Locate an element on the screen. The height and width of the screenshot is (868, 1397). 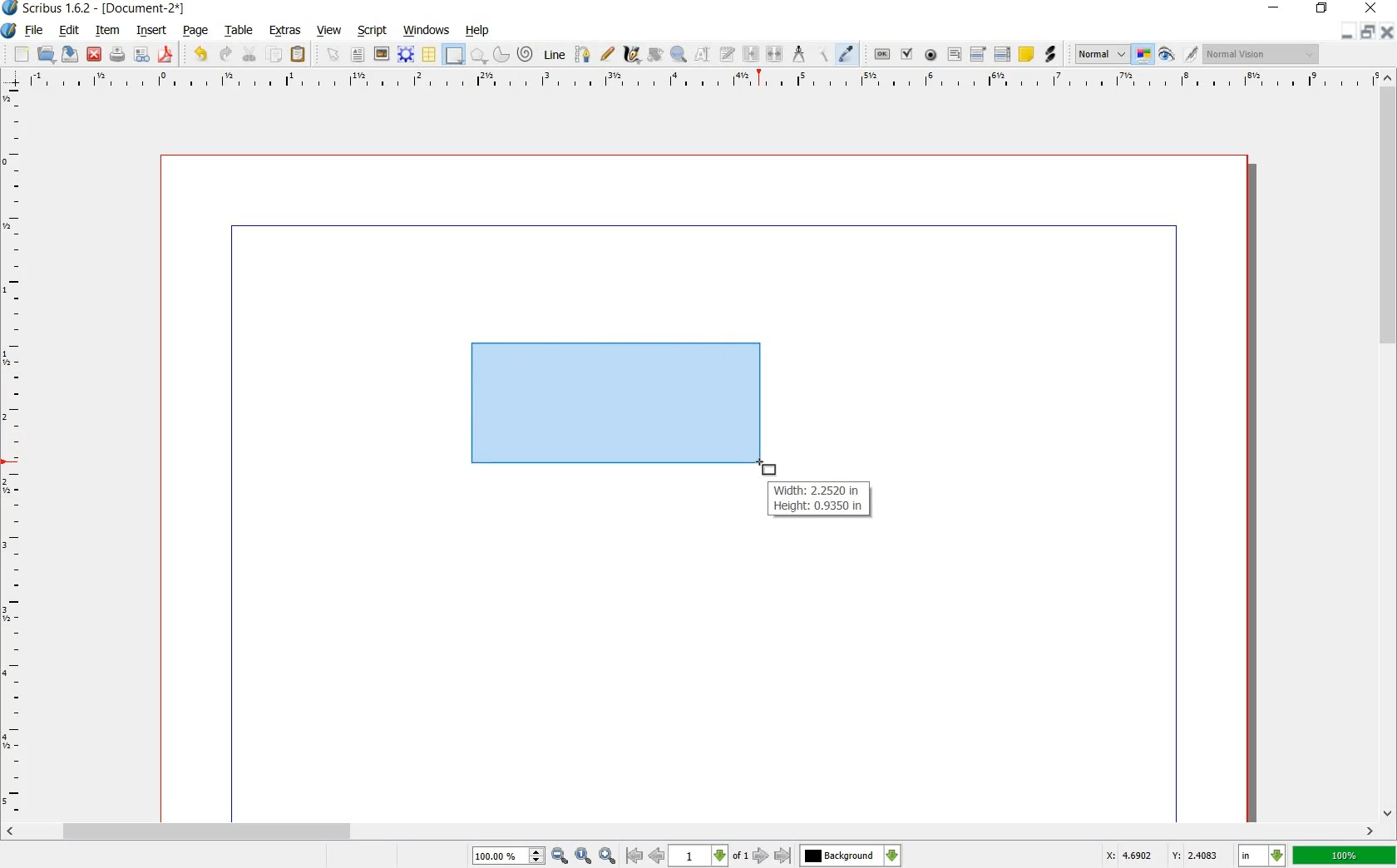
VIEW is located at coordinates (328, 32).